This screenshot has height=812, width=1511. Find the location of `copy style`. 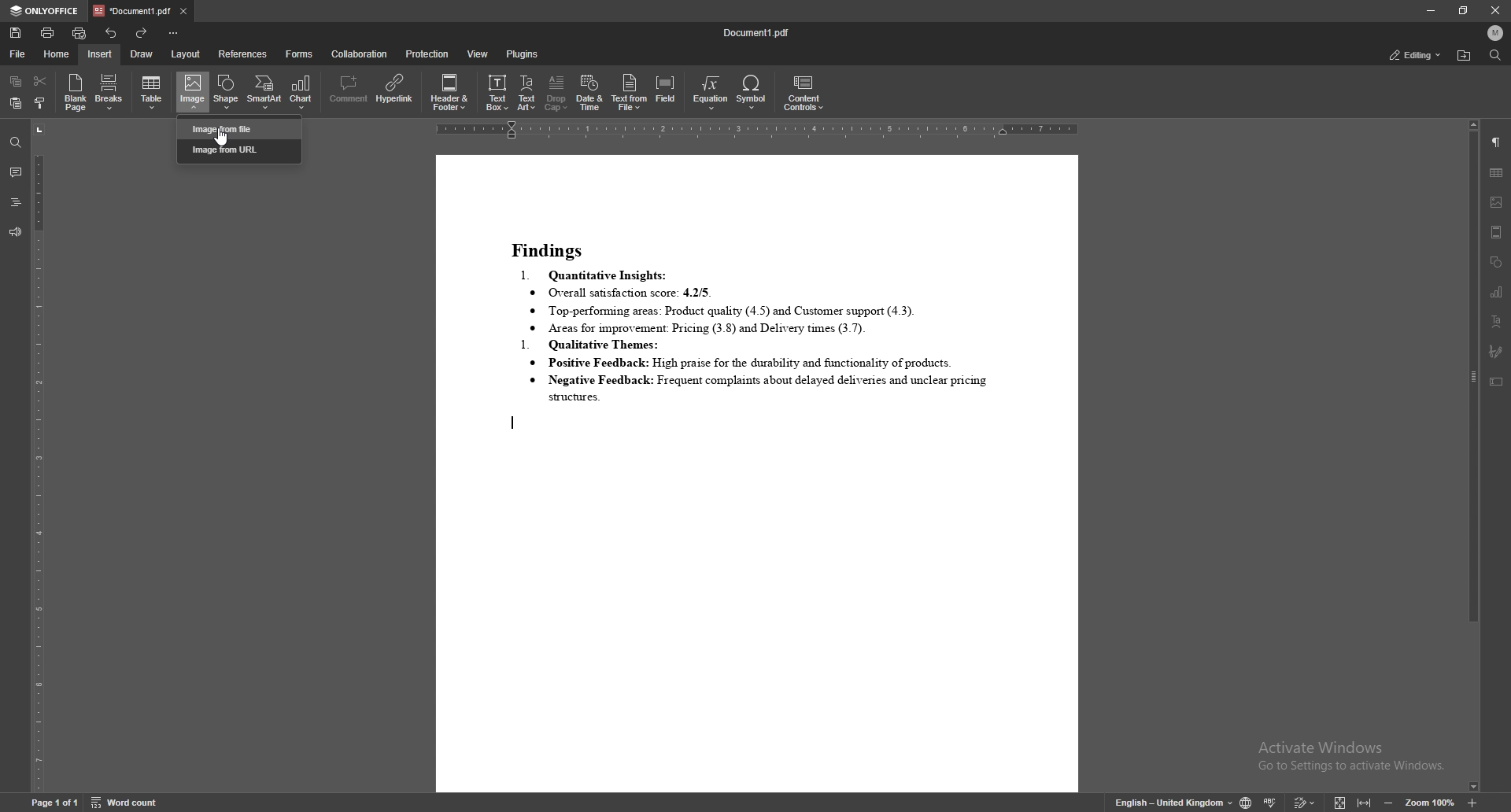

copy style is located at coordinates (40, 105).